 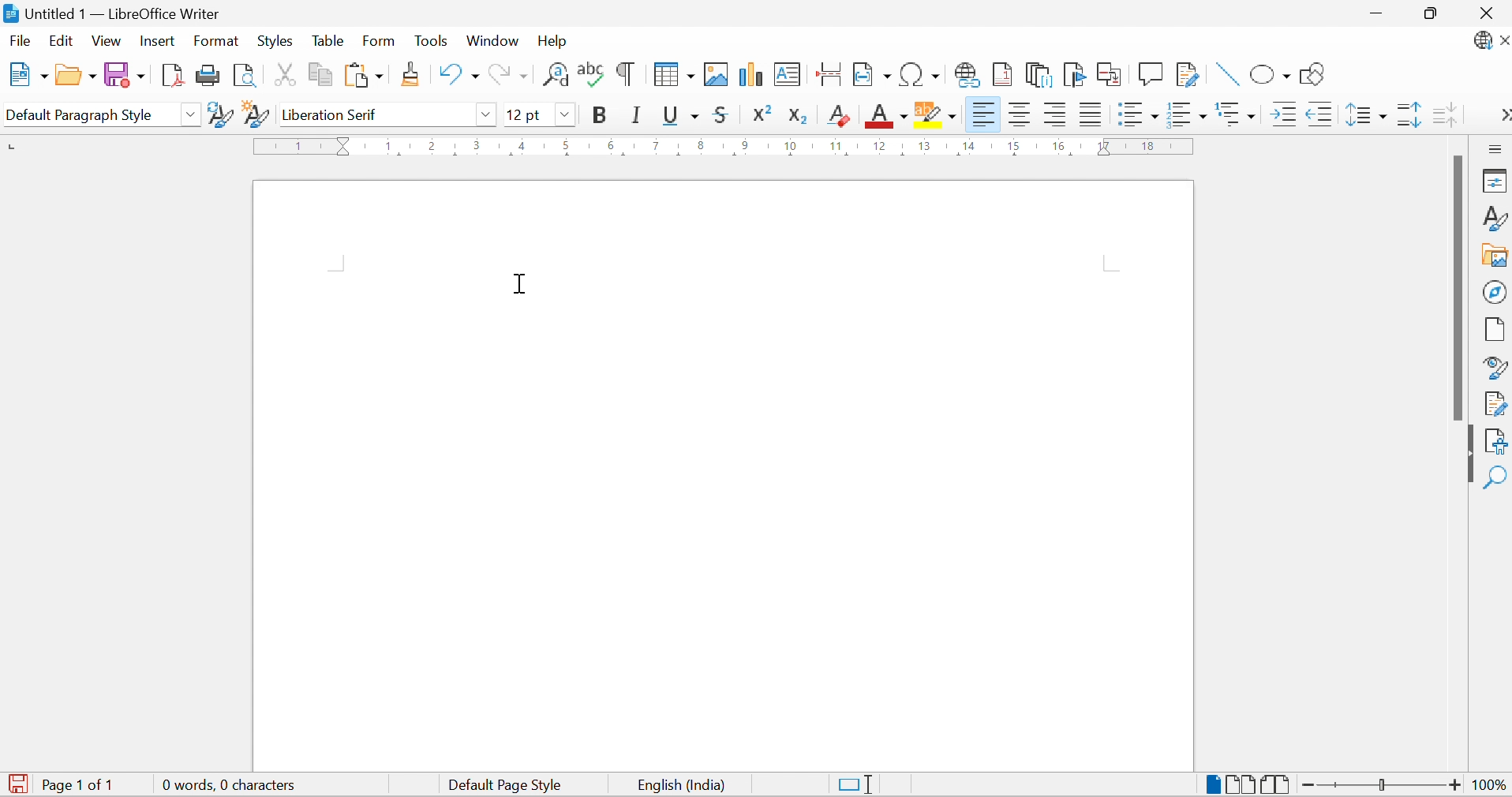 What do you see at coordinates (638, 114) in the screenshot?
I see `Italic` at bounding box center [638, 114].